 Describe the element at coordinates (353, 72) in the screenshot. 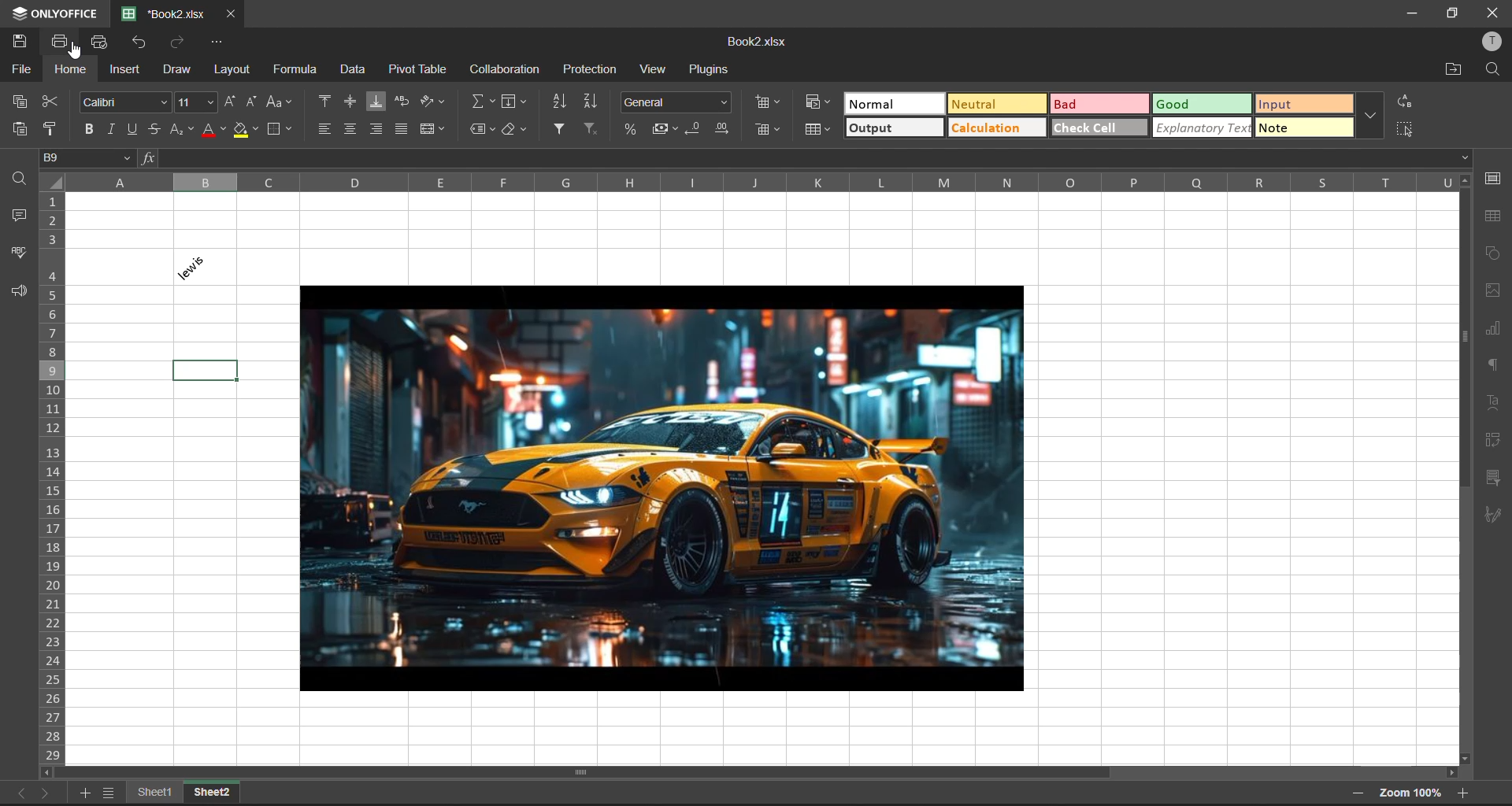

I see `data` at that location.